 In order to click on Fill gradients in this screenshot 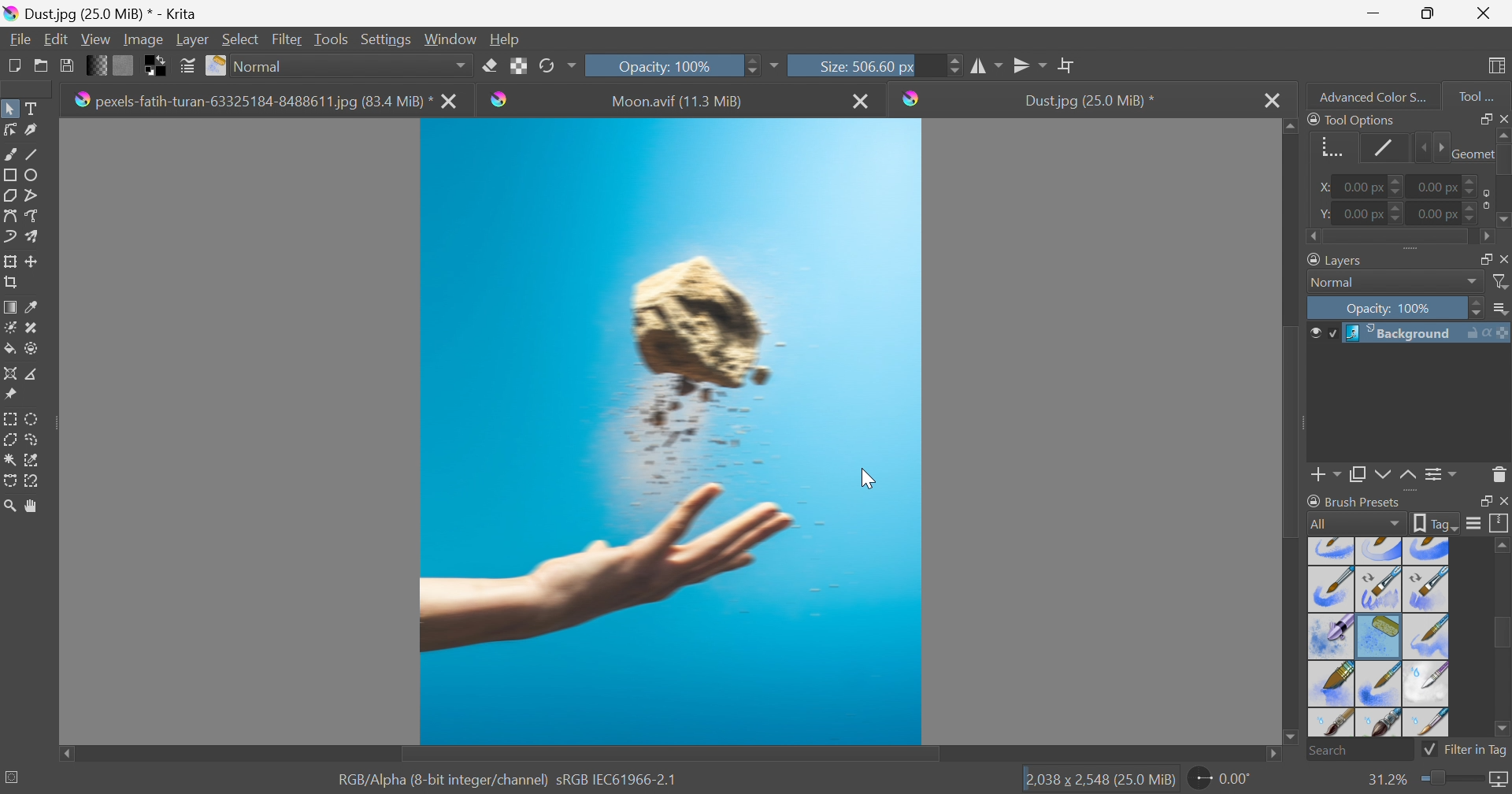, I will do `click(98, 64)`.